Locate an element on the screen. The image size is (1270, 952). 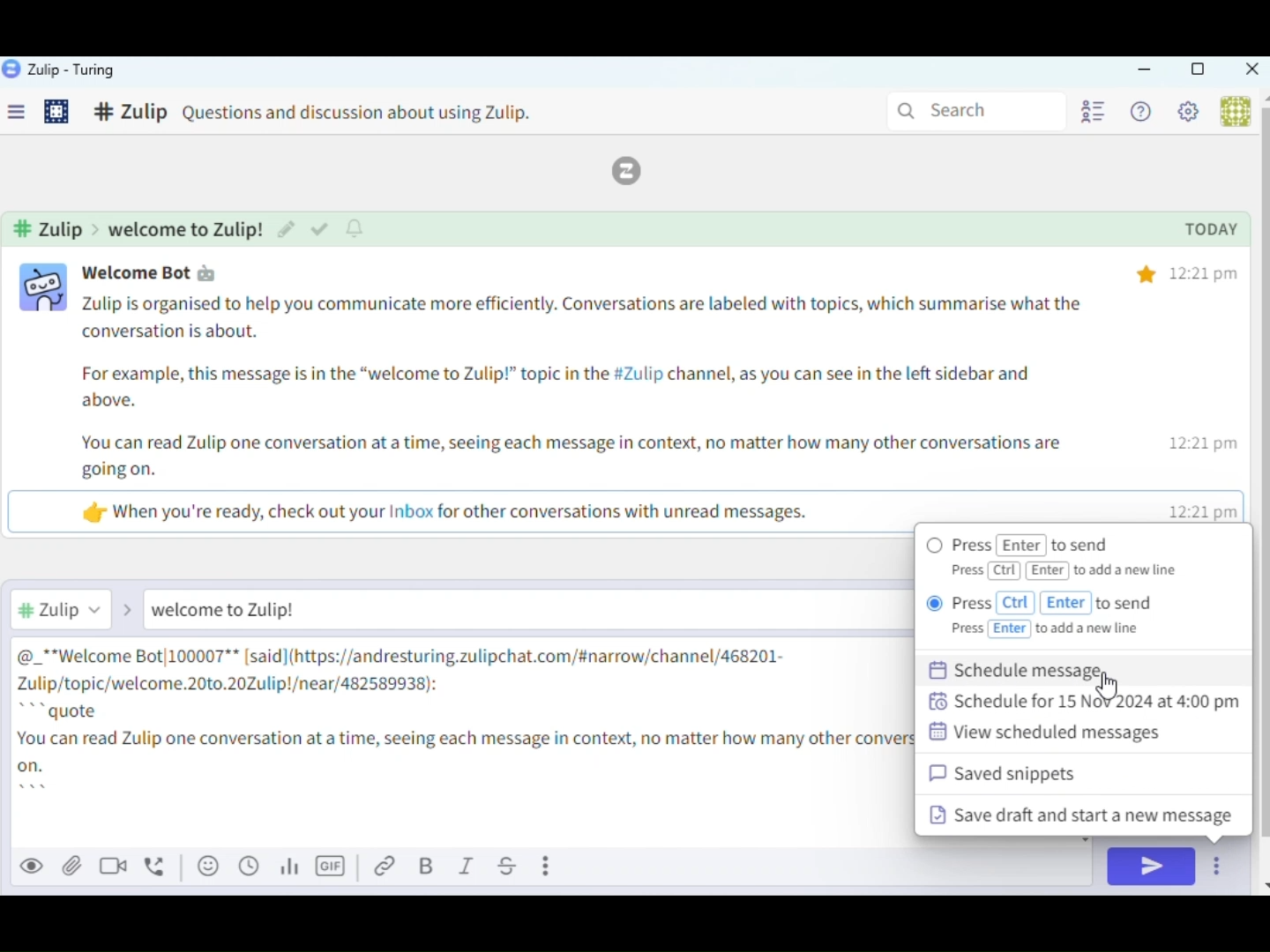
Saved snippets is located at coordinates (1042, 772).